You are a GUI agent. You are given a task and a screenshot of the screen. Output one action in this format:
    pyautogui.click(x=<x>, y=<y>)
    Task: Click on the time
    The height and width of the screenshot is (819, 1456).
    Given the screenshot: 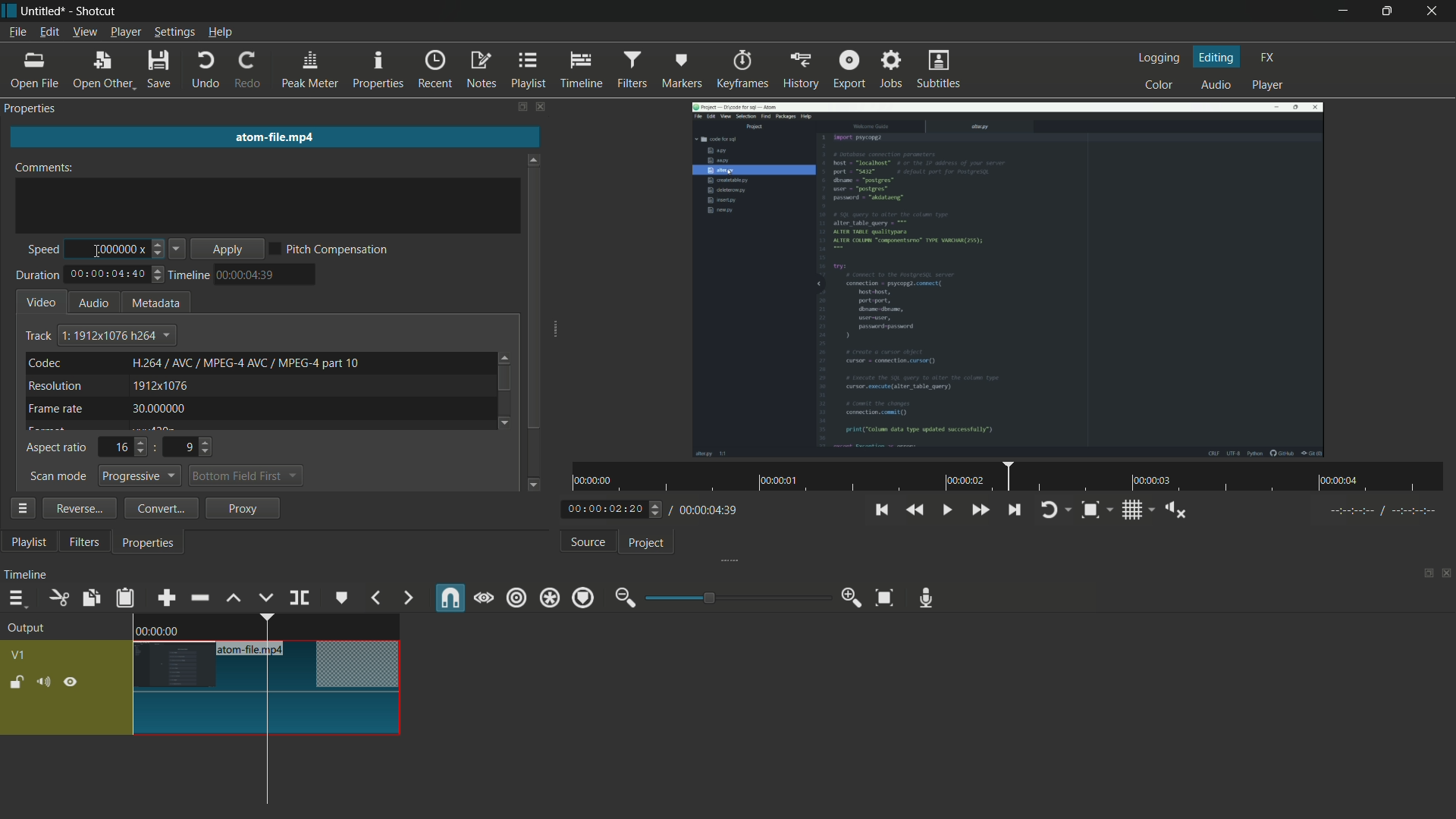 What is the action you would take?
    pyautogui.click(x=247, y=275)
    